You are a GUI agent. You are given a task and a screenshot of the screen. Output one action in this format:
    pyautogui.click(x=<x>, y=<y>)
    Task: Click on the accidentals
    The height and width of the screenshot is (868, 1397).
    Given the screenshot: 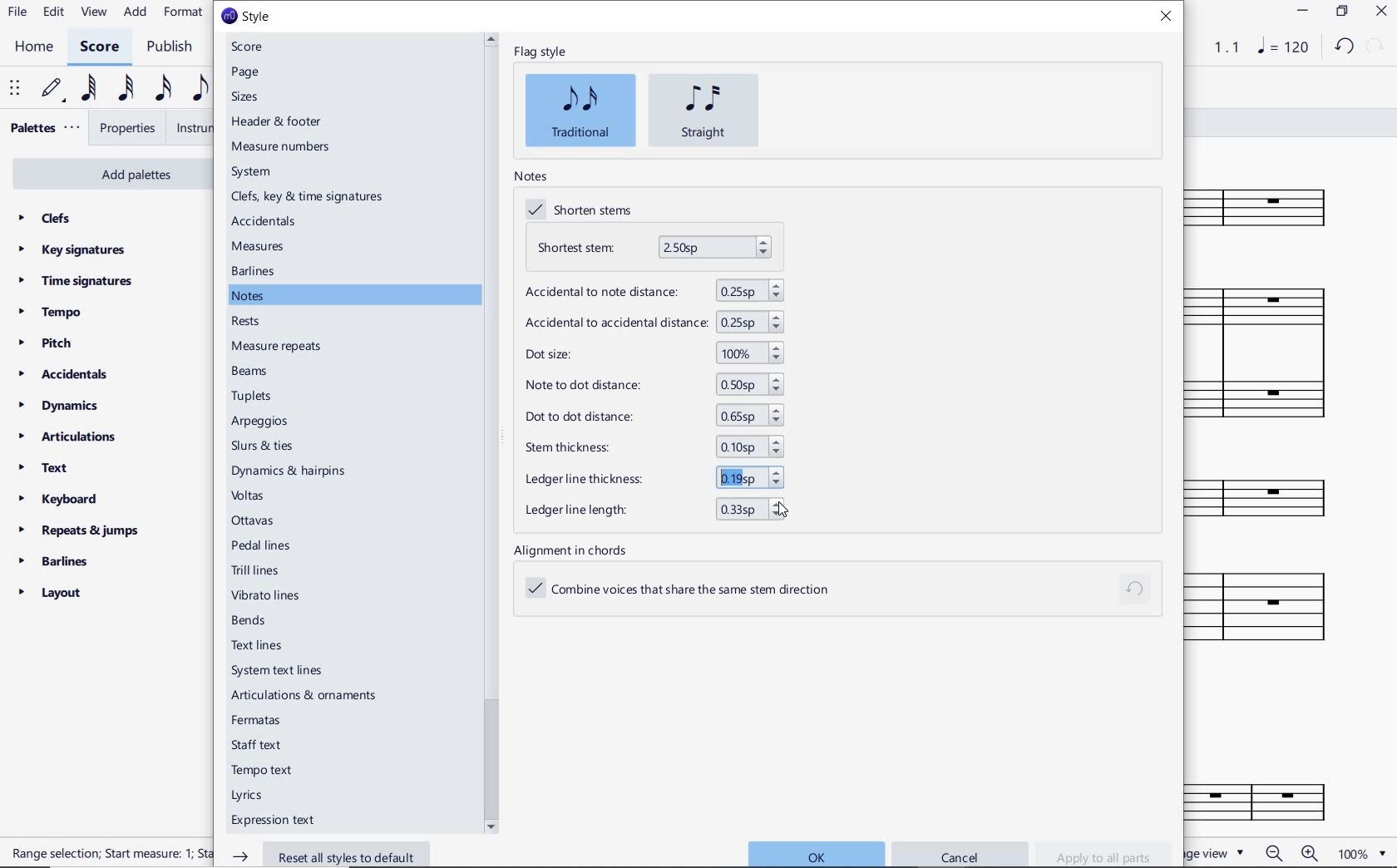 What is the action you would take?
    pyautogui.click(x=265, y=223)
    